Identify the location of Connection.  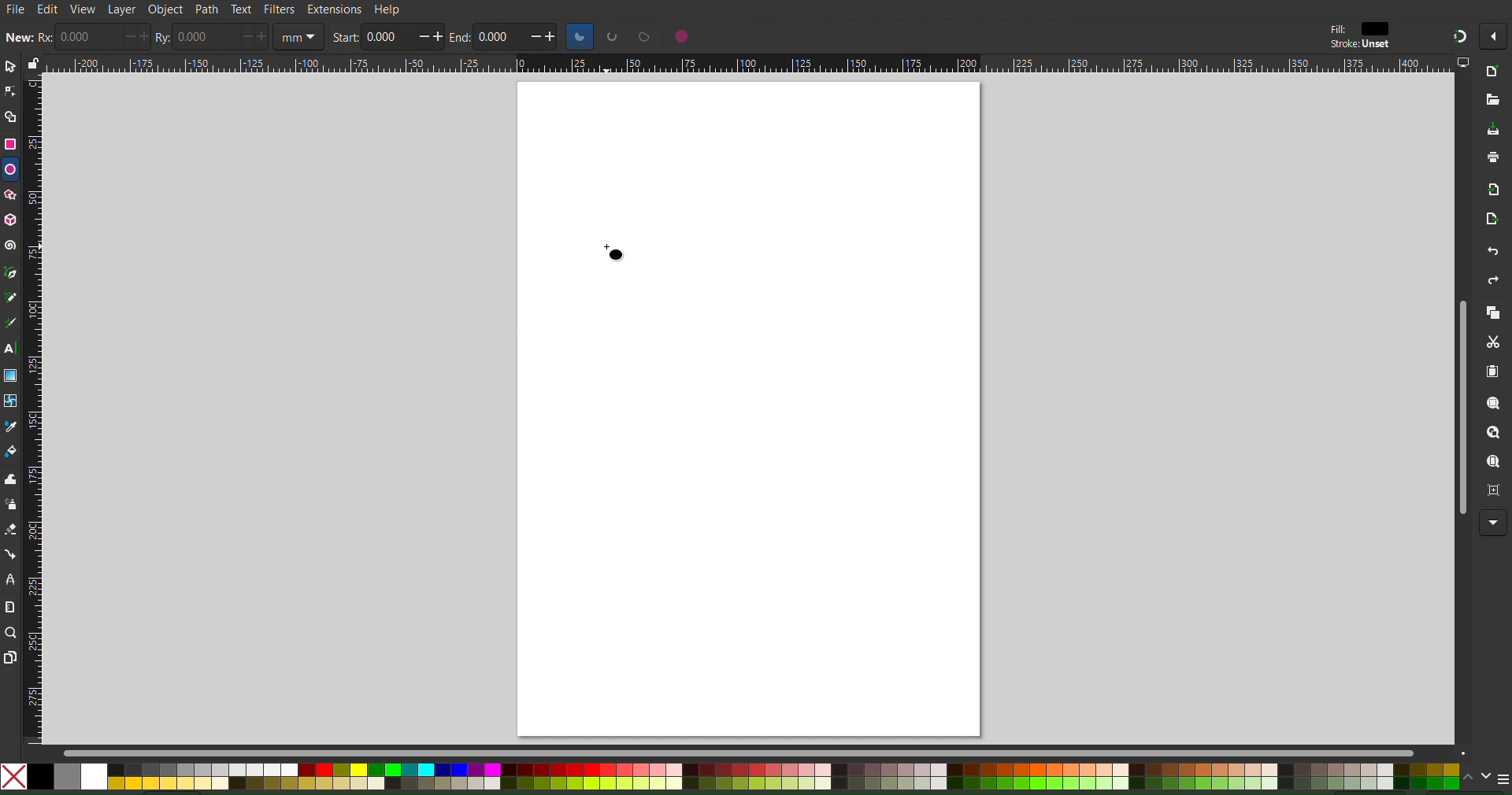
(10, 555).